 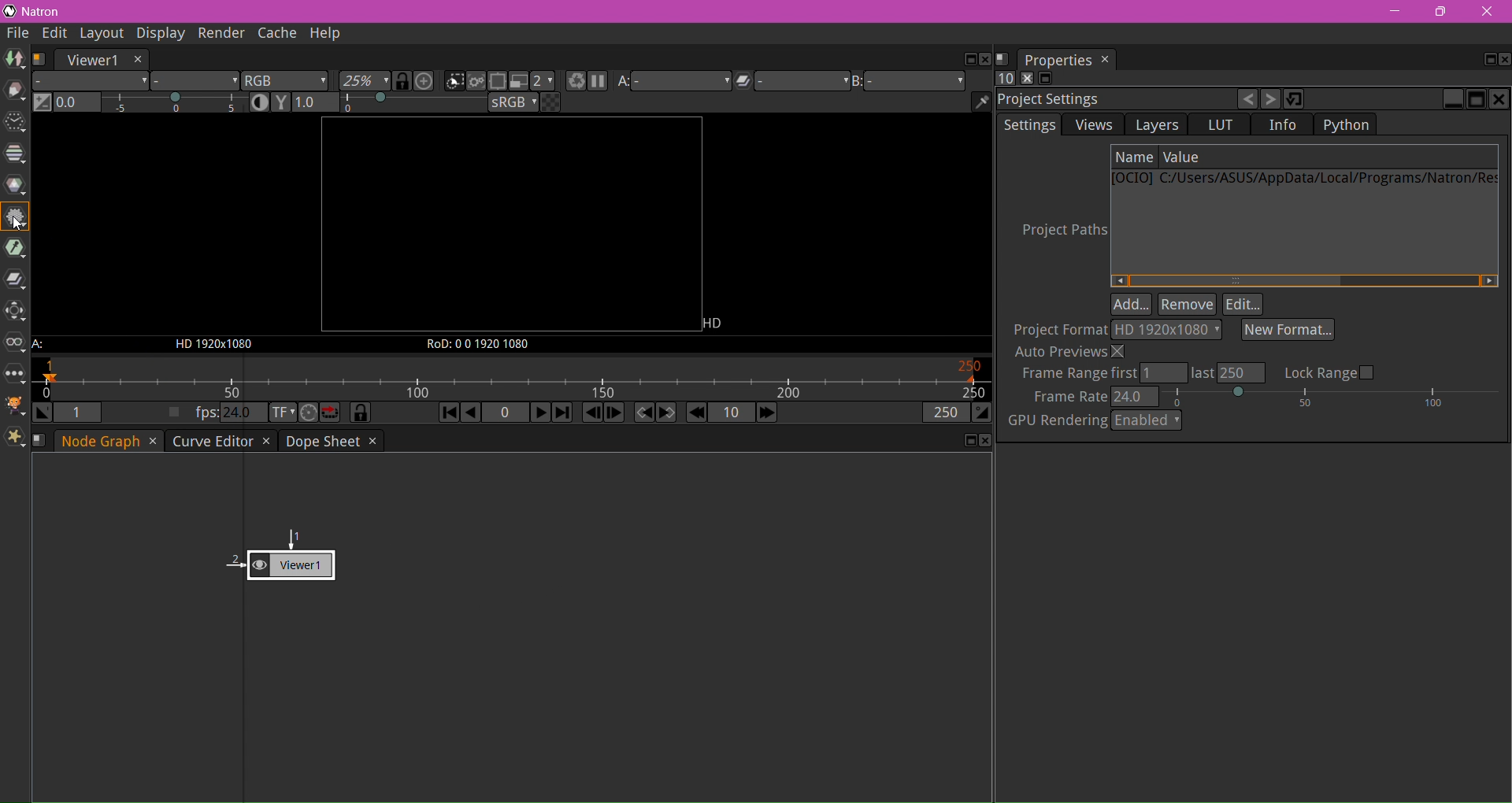 I want to click on When enabled, all the viewers will be synchronized to the sme portion of the image in the viewport, so click(x=403, y=81).